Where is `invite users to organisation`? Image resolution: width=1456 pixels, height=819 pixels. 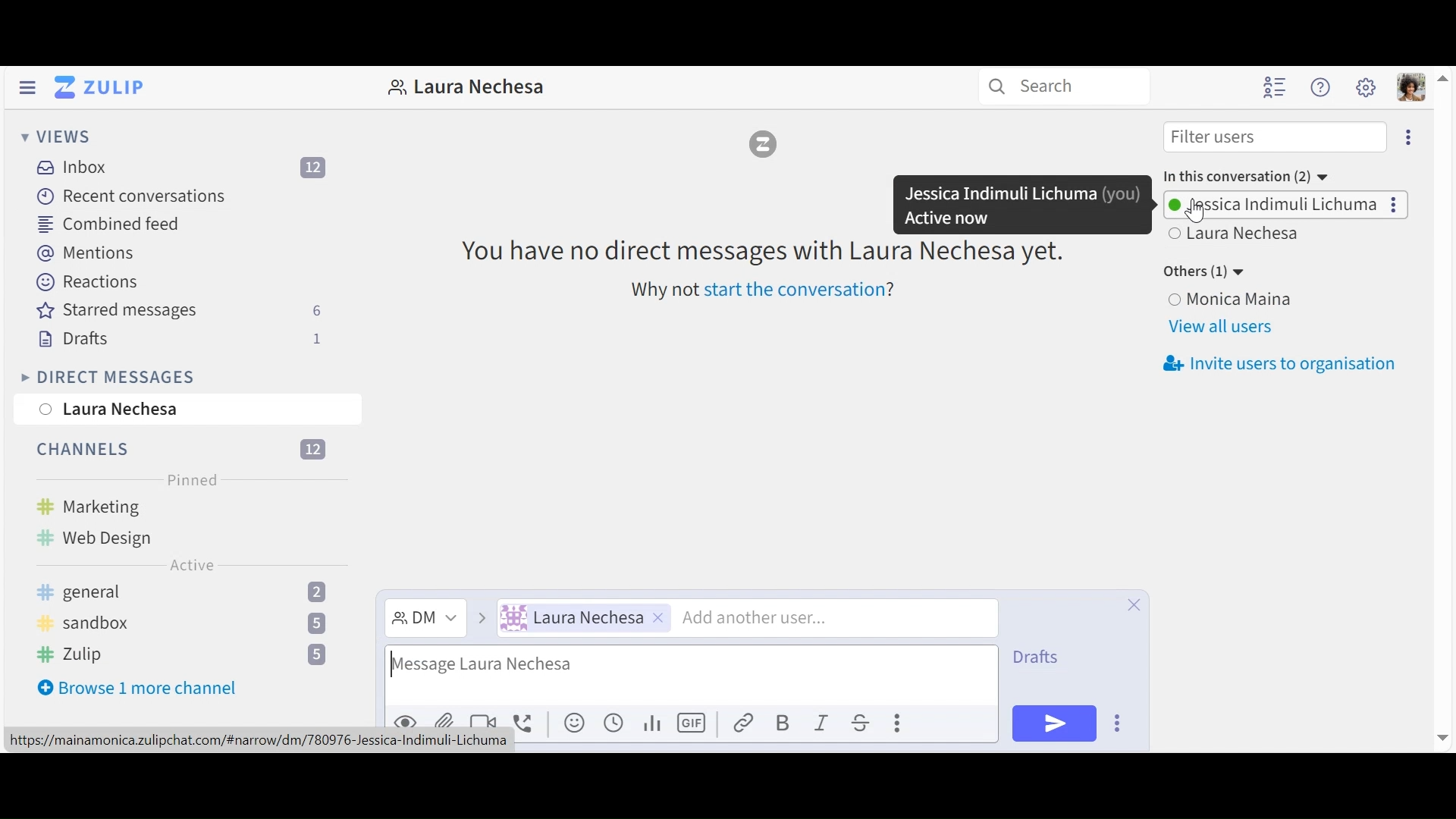 invite users to organisation is located at coordinates (1282, 364).